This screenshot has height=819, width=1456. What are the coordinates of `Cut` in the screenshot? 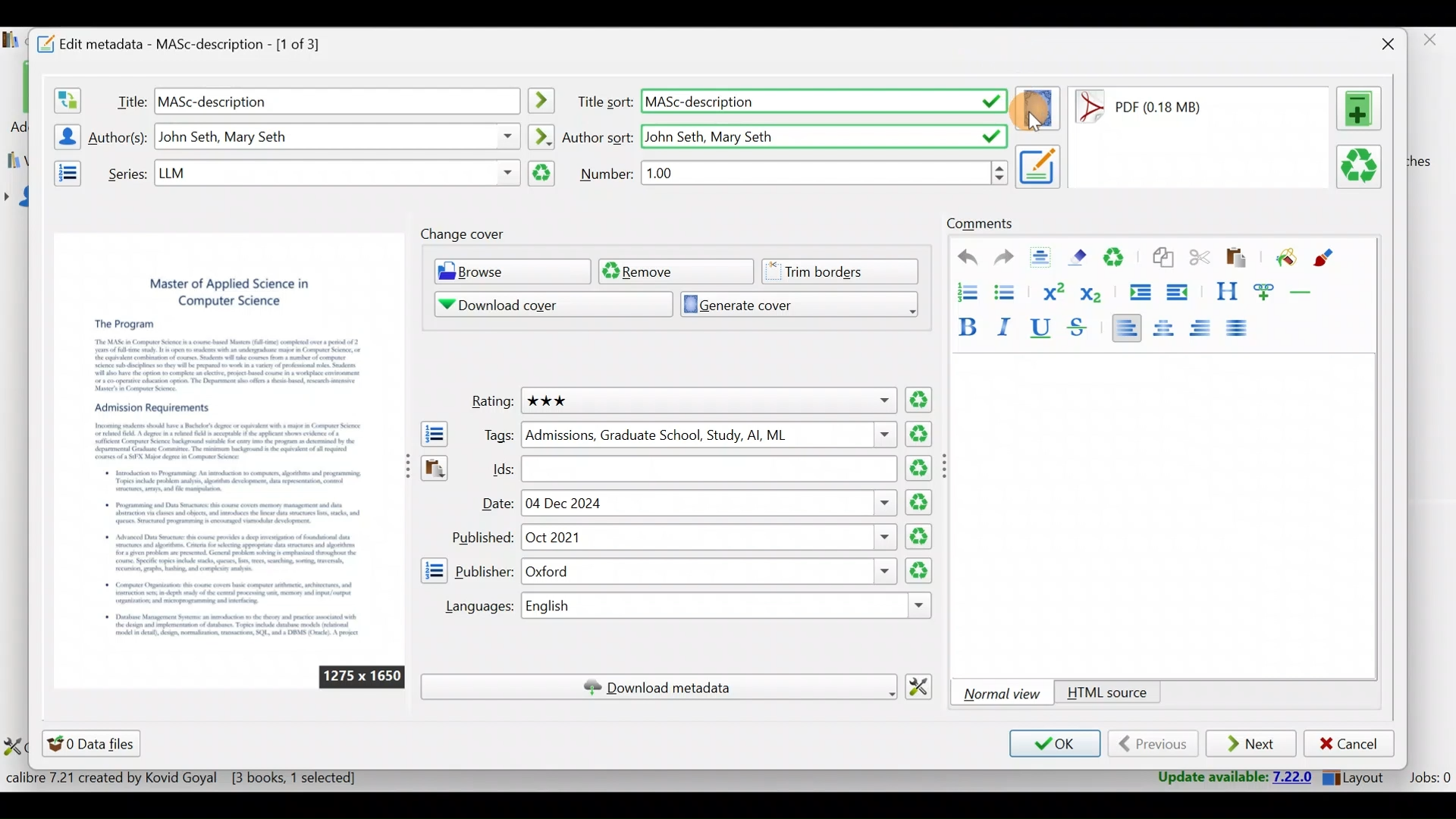 It's located at (1200, 260).